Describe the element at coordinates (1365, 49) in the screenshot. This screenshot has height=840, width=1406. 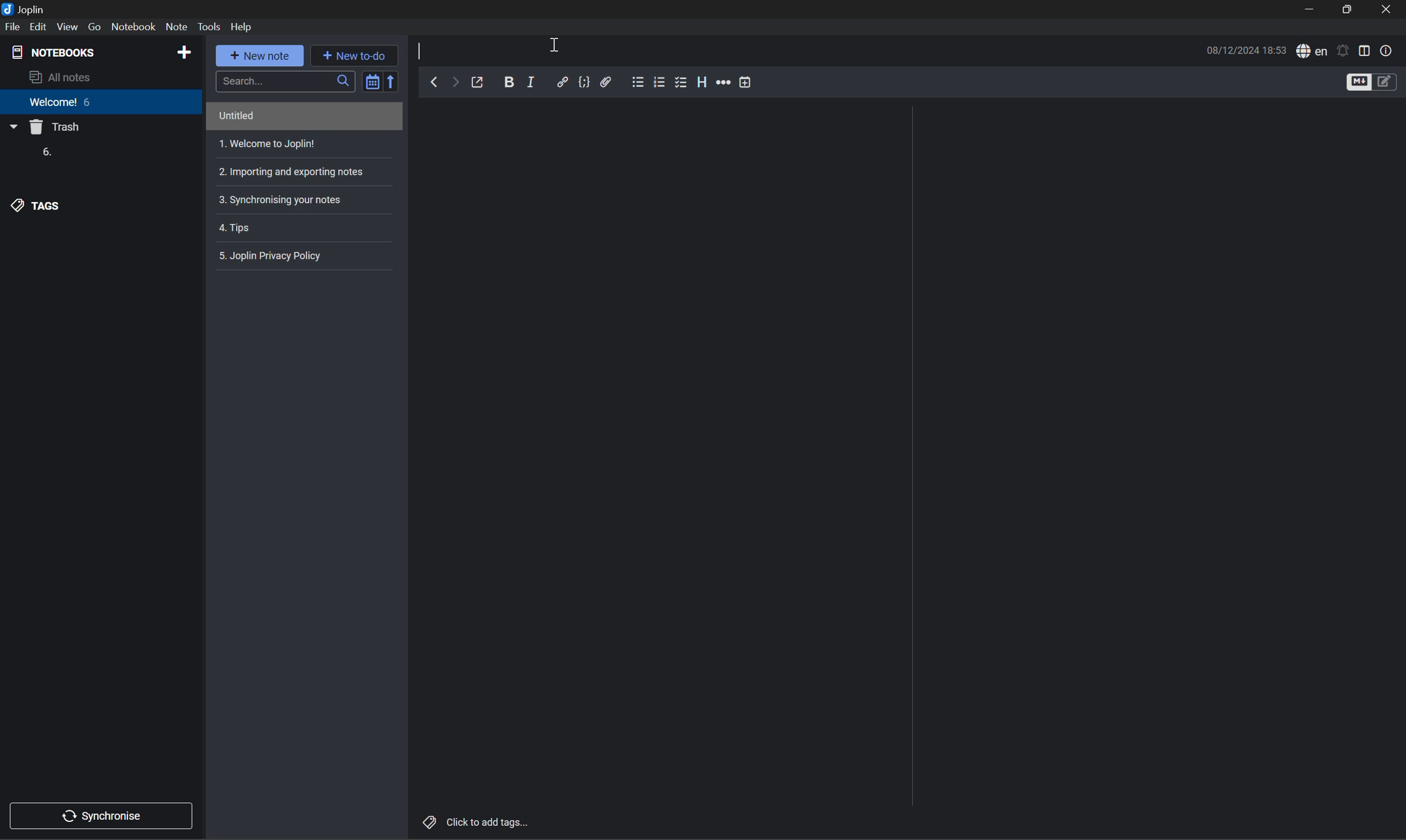
I see `Toggle editor layout` at that location.